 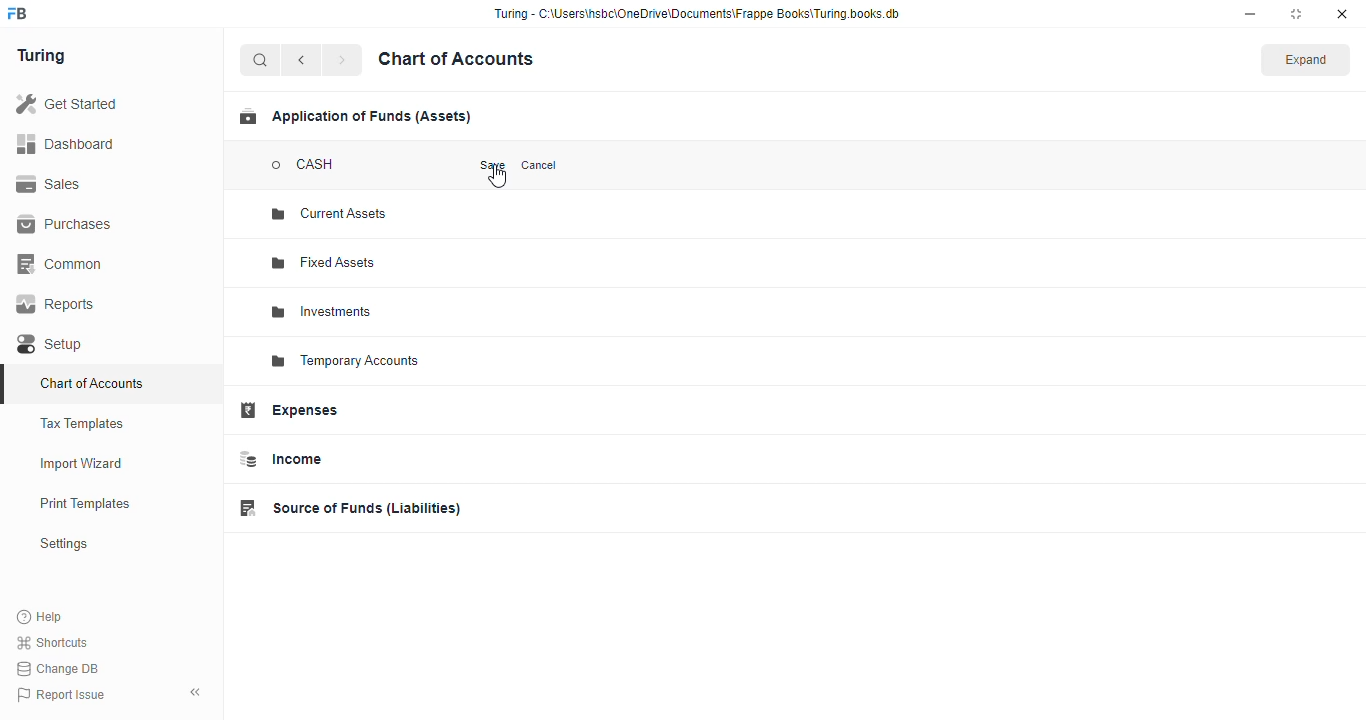 What do you see at coordinates (92, 383) in the screenshot?
I see `chart of accounts` at bounding box center [92, 383].